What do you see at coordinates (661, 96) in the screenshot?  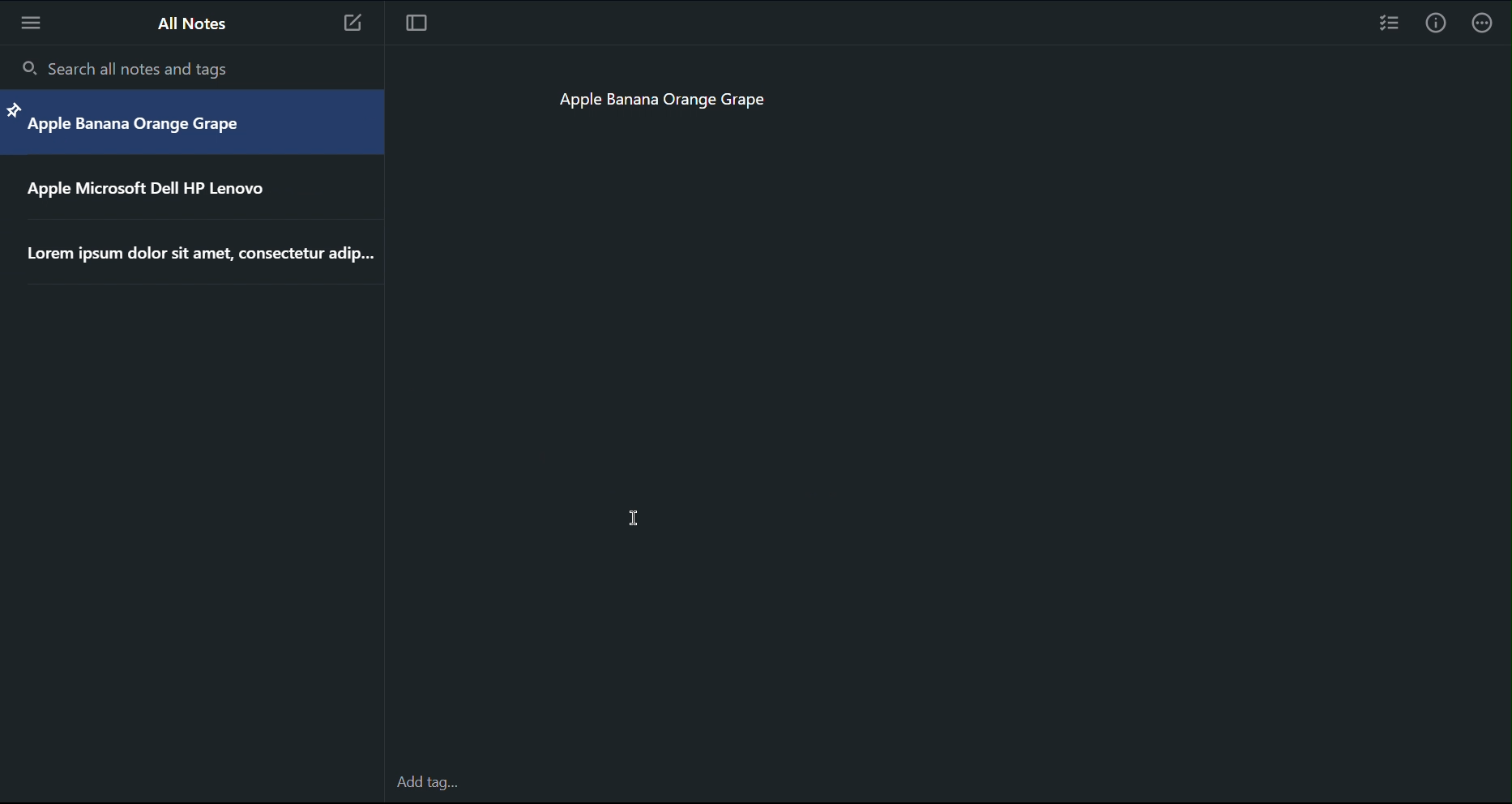 I see `Apple Banana Orange Grape` at bounding box center [661, 96].